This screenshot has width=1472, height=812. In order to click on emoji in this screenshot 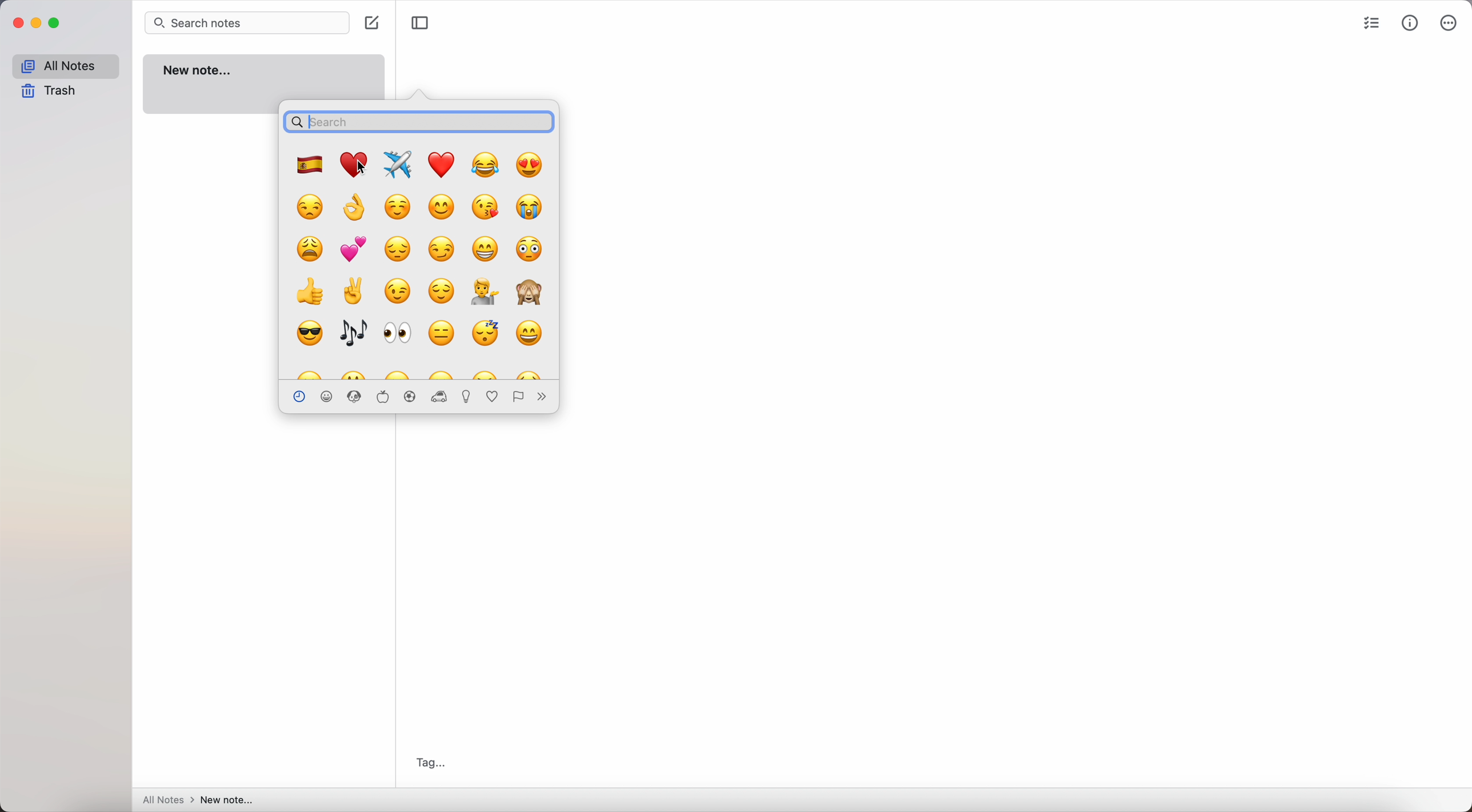, I will do `click(486, 293)`.